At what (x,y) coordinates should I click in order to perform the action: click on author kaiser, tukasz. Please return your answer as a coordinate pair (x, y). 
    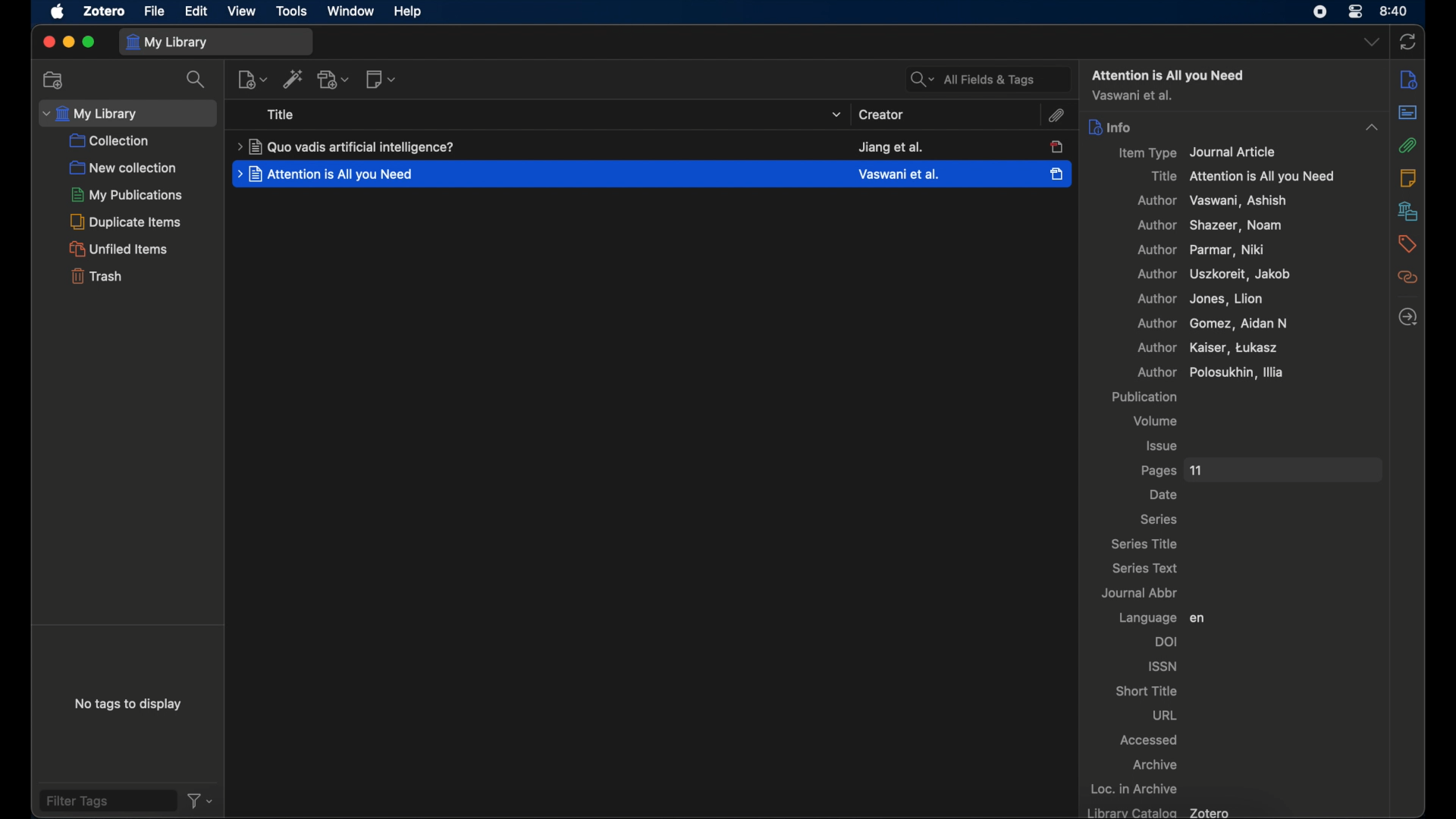
    Looking at the image, I should click on (1207, 347).